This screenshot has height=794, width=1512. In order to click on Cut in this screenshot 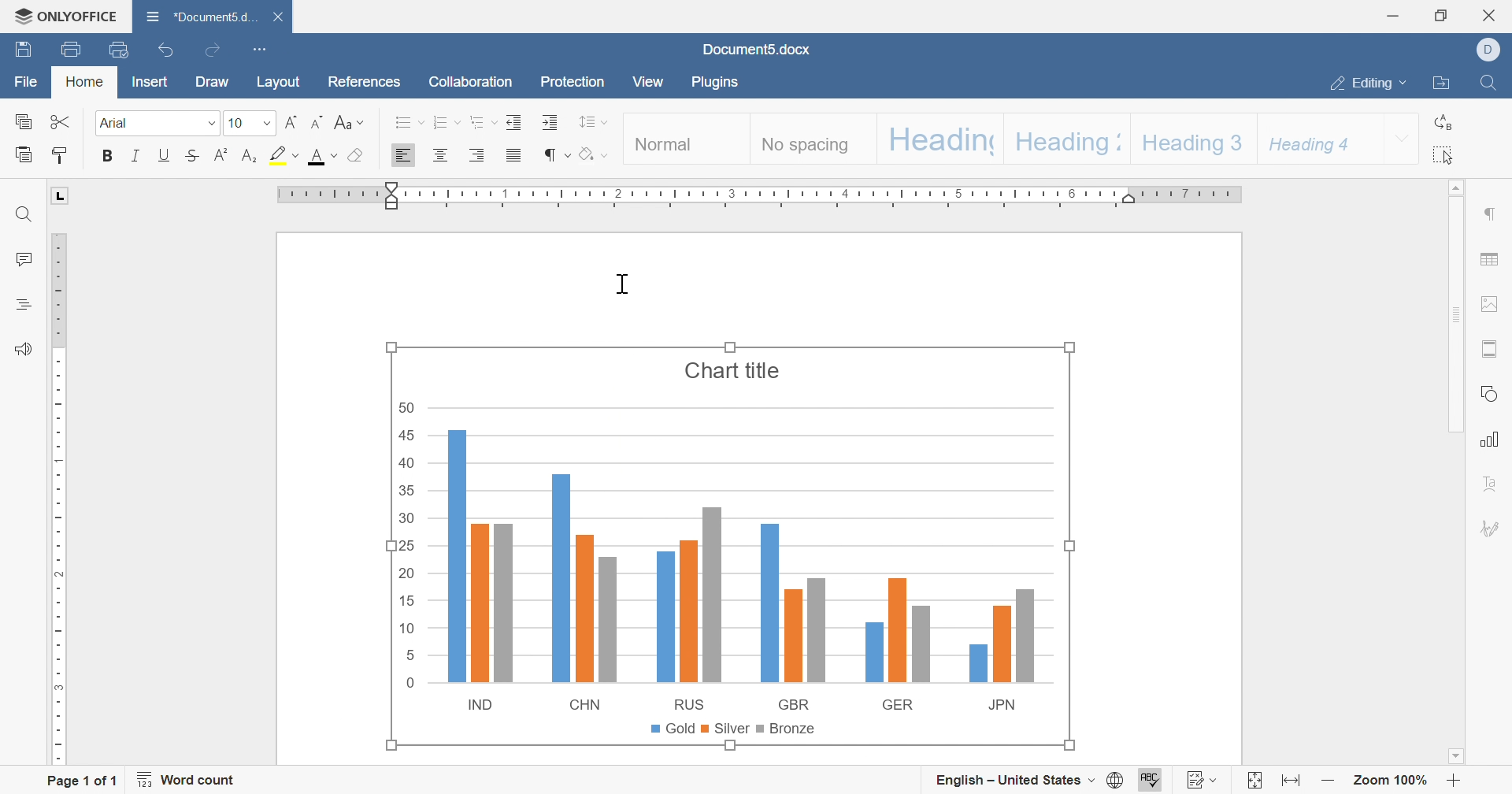, I will do `click(61, 121)`.